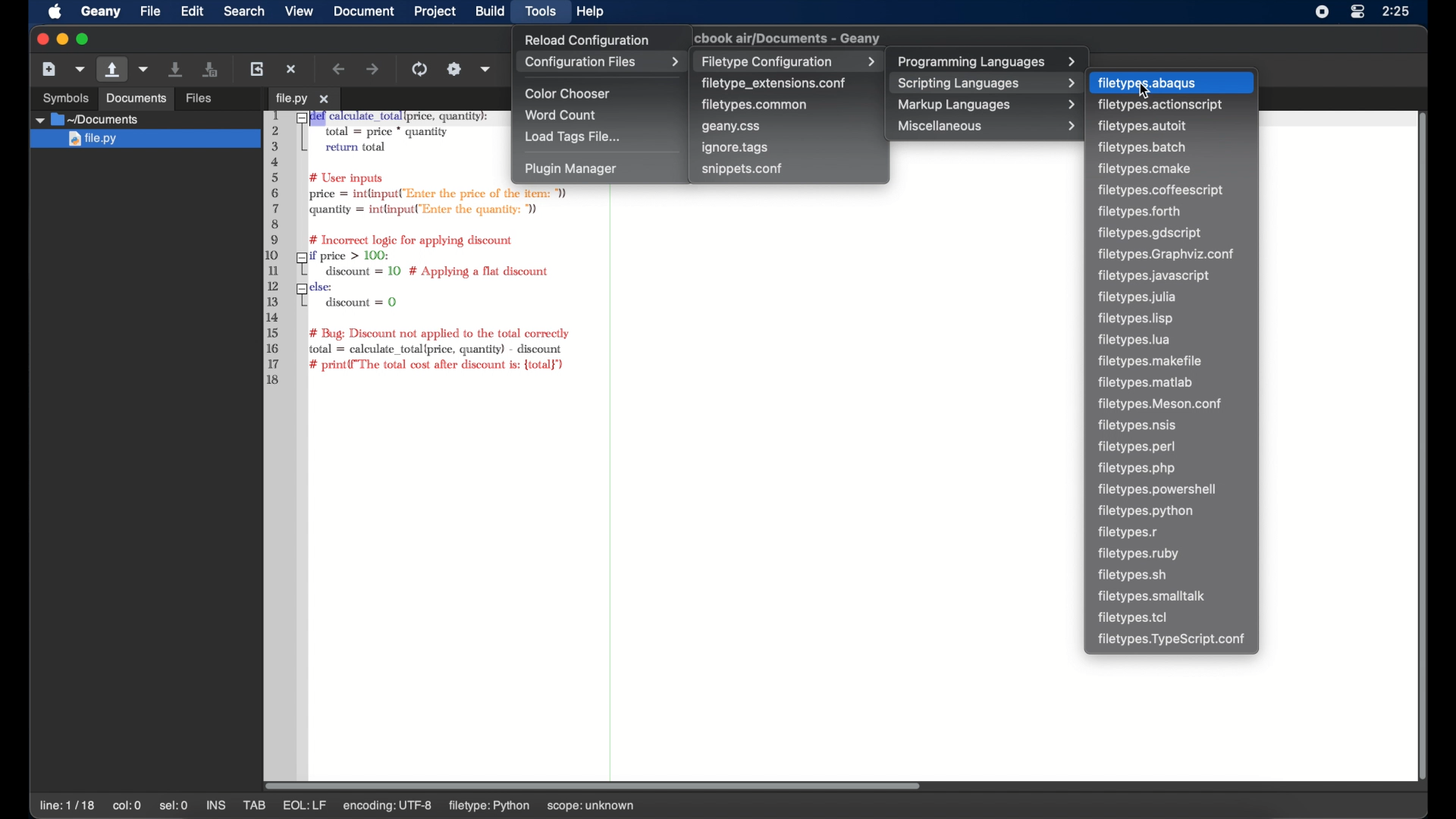  What do you see at coordinates (1154, 596) in the screenshot?
I see `filetypes` at bounding box center [1154, 596].